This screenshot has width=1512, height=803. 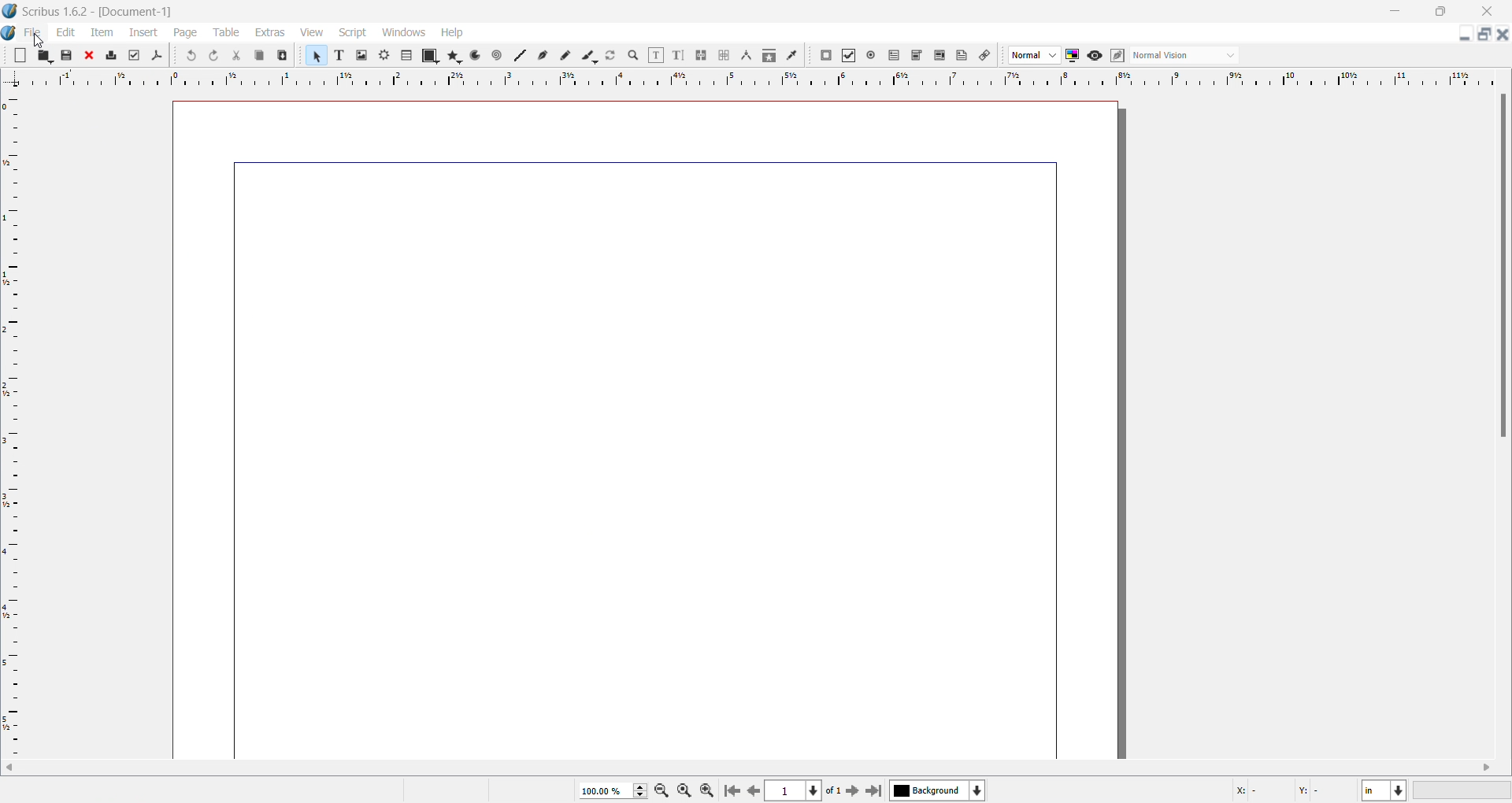 What do you see at coordinates (9, 34) in the screenshot?
I see `scribus logo` at bounding box center [9, 34].